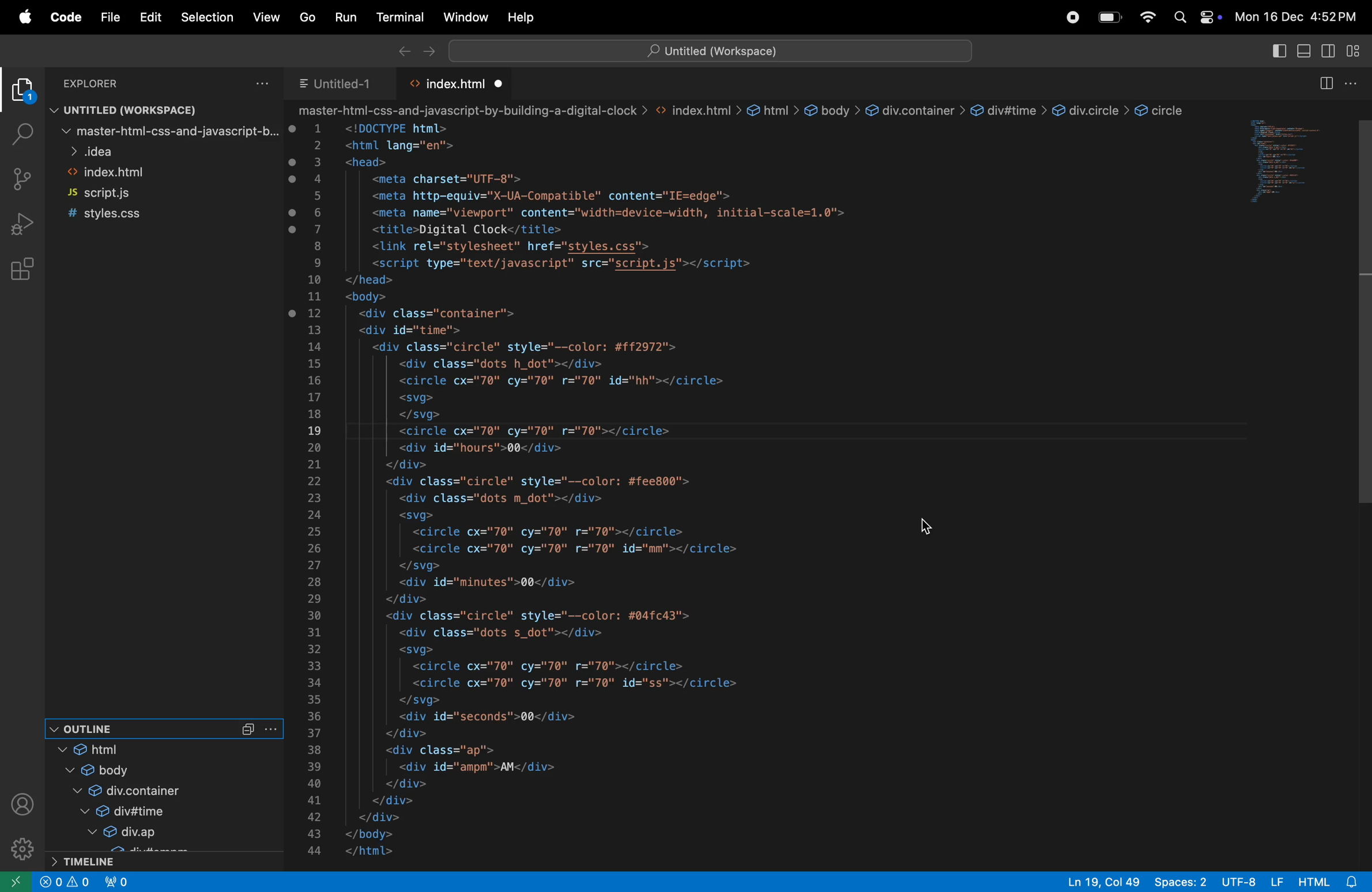 The width and height of the screenshot is (1372, 892). Describe the element at coordinates (1110, 16) in the screenshot. I see `battery` at that location.